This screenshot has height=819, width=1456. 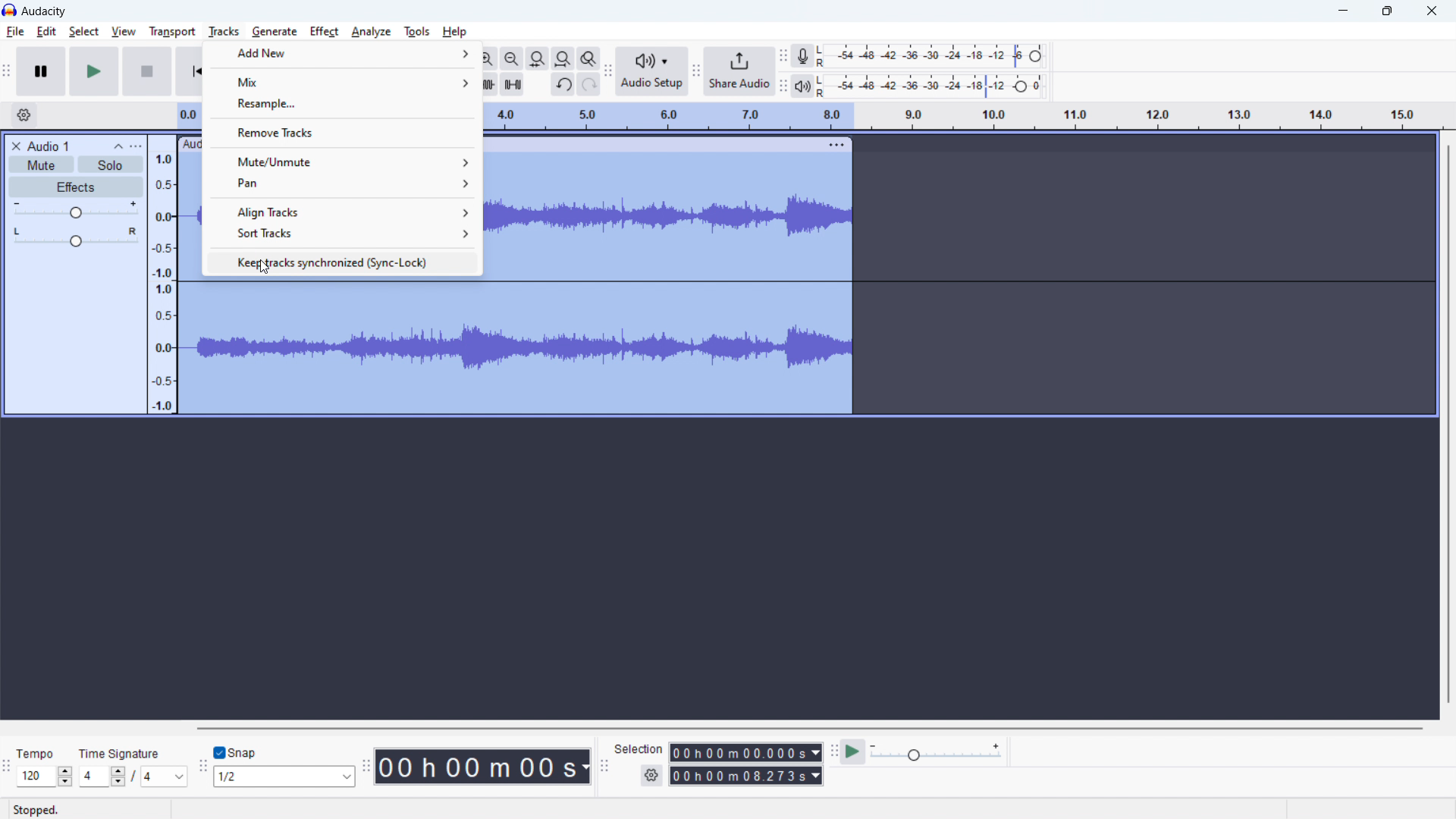 What do you see at coordinates (803, 55) in the screenshot?
I see `recording meter ` at bounding box center [803, 55].